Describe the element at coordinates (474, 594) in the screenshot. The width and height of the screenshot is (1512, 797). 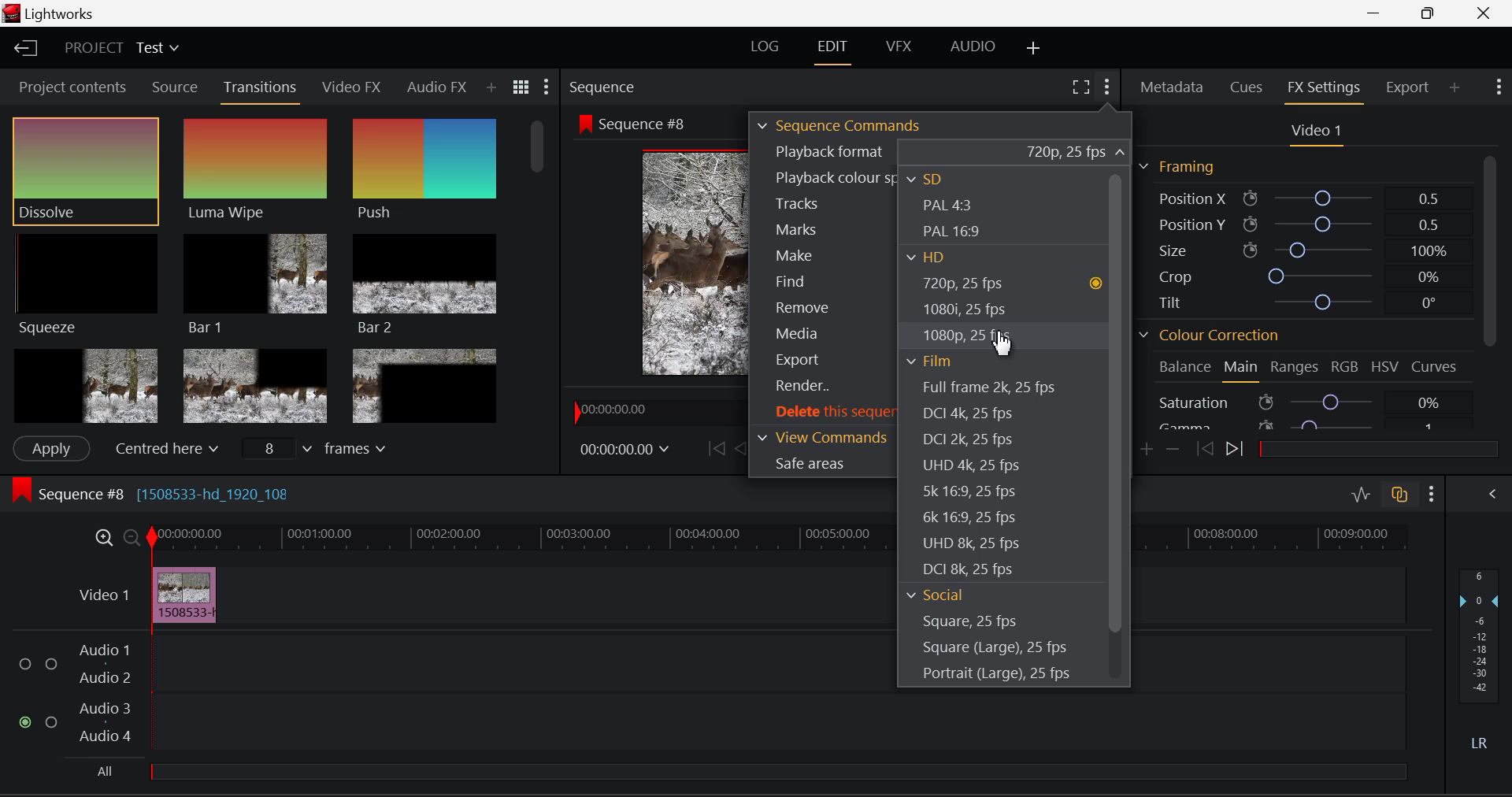
I see `Clip Inserted in Video Layer` at that location.